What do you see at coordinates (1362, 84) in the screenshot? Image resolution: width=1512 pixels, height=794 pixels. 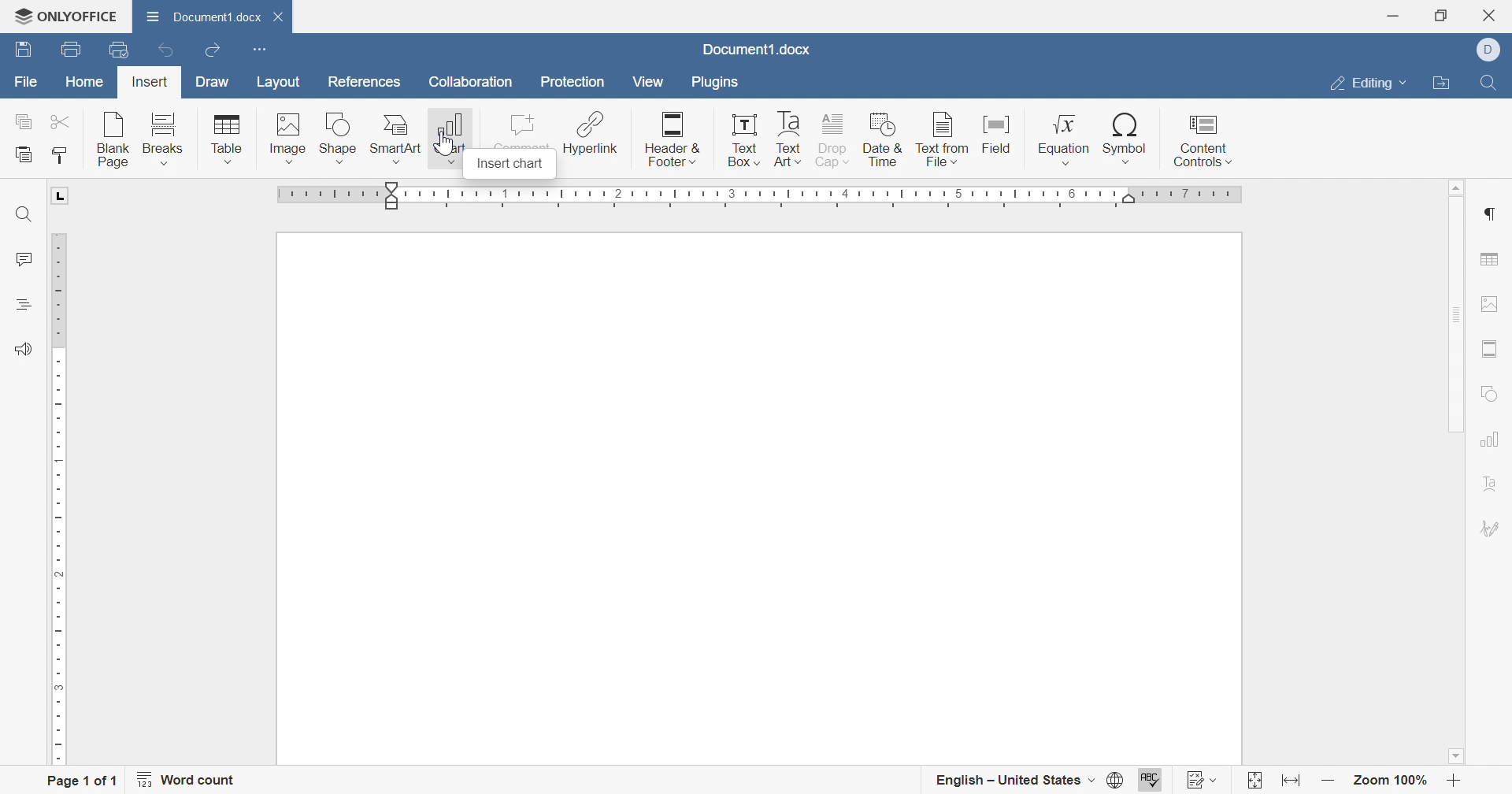 I see `Editing` at bounding box center [1362, 84].